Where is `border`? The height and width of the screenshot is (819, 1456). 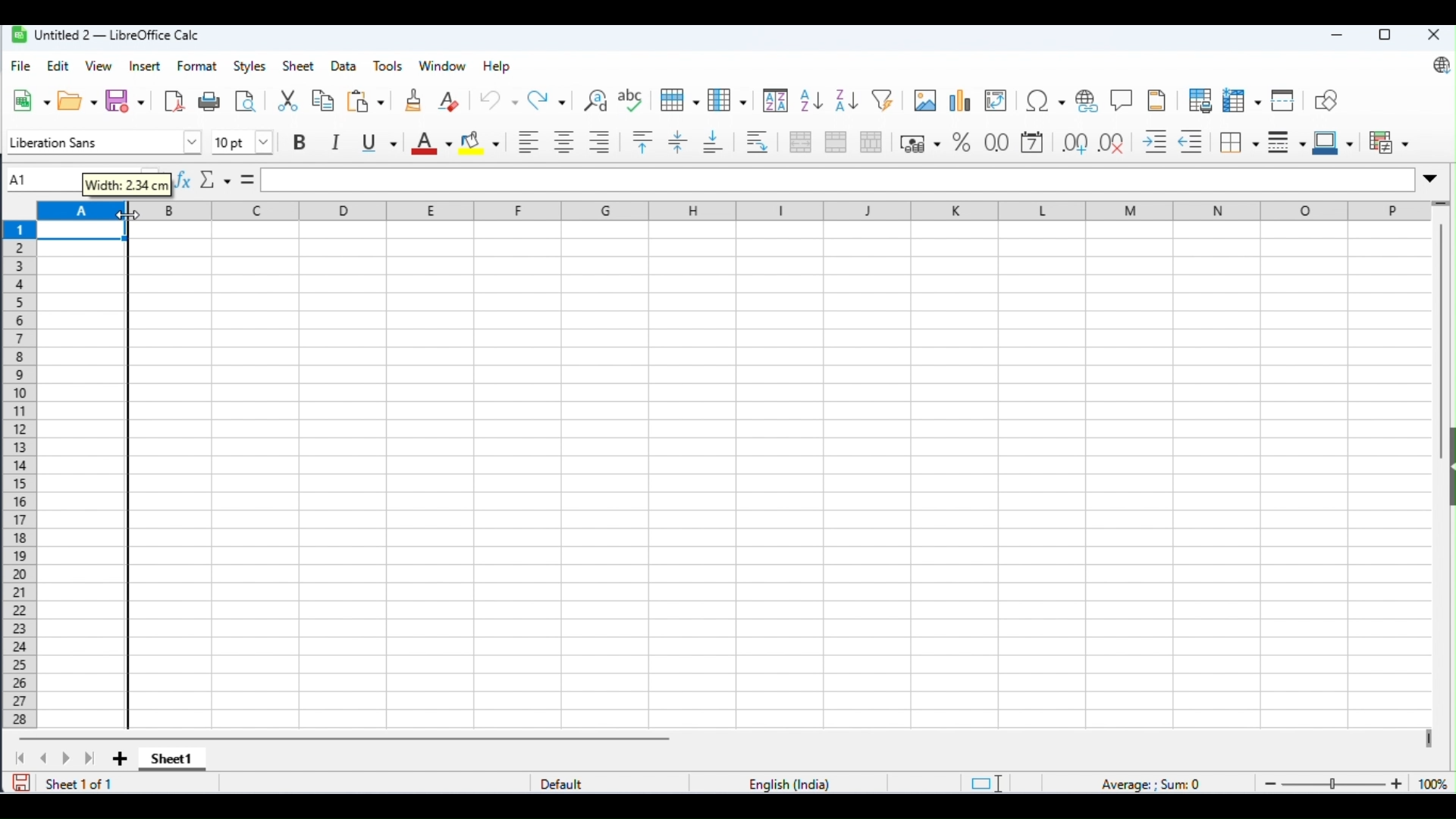 border is located at coordinates (1241, 142).